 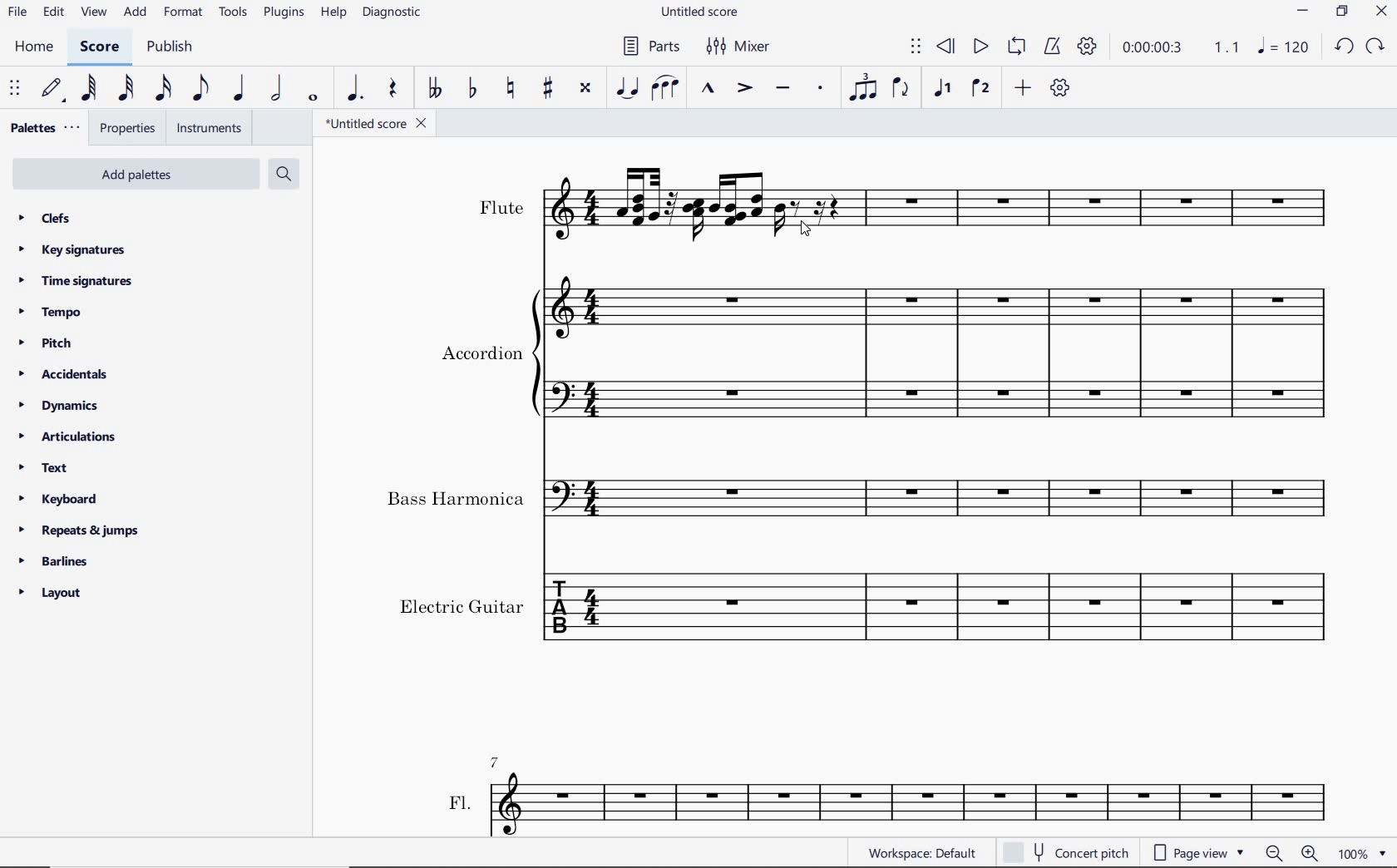 I want to click on help, so click(x=333, y=13).